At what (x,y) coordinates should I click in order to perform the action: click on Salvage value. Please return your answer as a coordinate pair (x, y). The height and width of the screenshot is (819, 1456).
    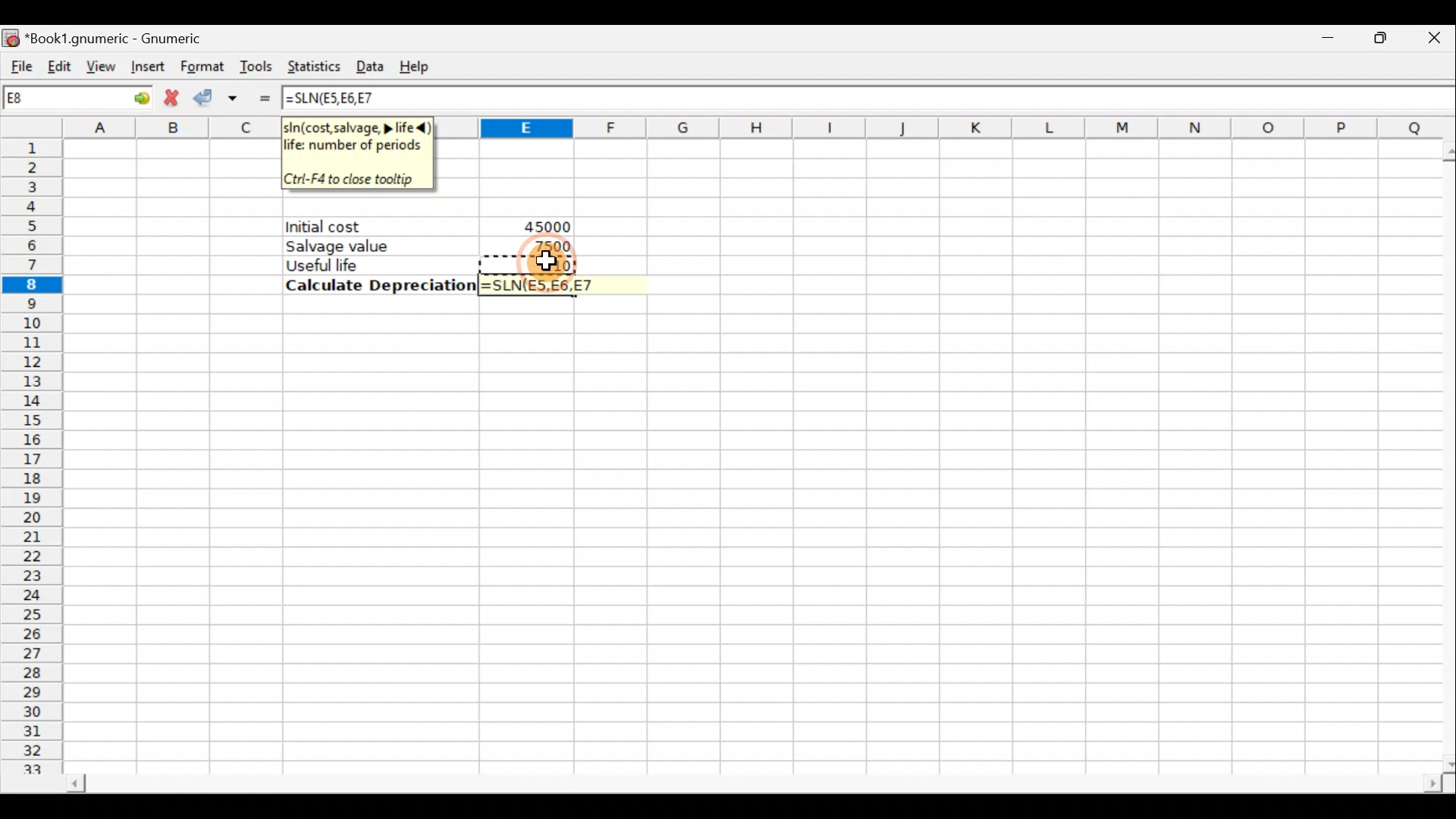
    Looking at the image, I should click on (369, 246).